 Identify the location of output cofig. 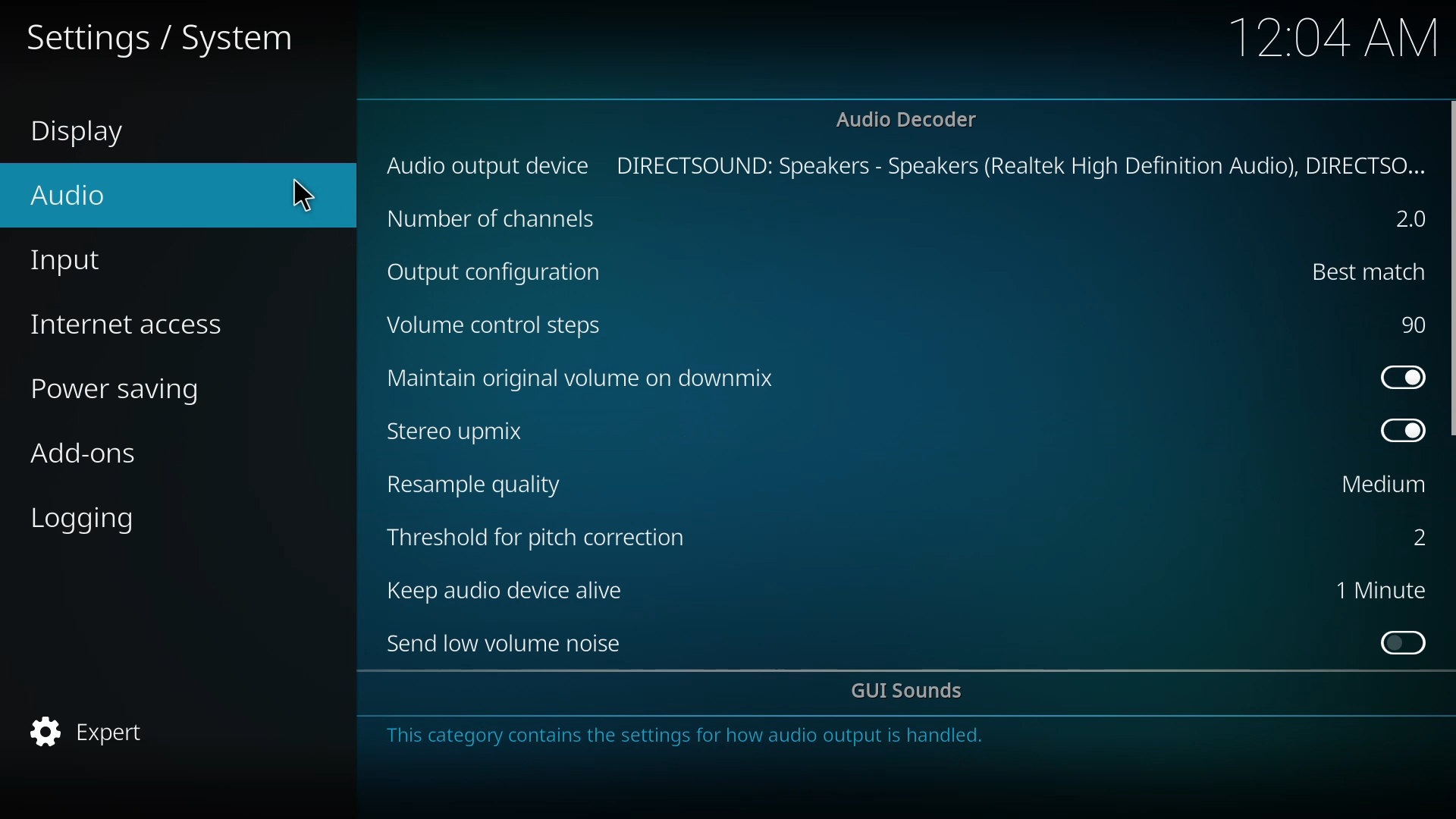
(497, 270).